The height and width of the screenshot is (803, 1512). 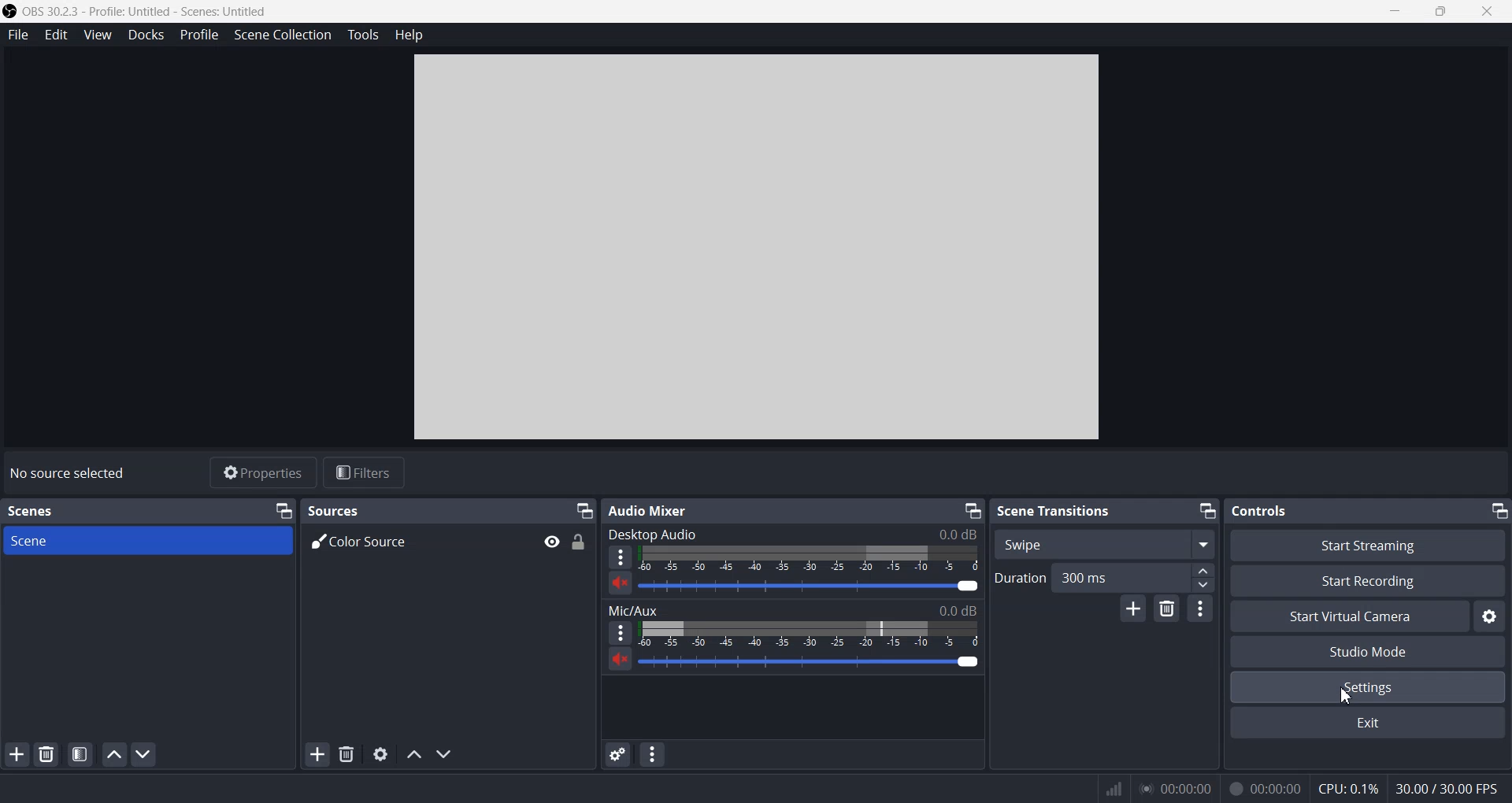 What do you see at coordinates (1368, 723) in the screenshot?
I see `Exit` at bounding box center [1368, 723].